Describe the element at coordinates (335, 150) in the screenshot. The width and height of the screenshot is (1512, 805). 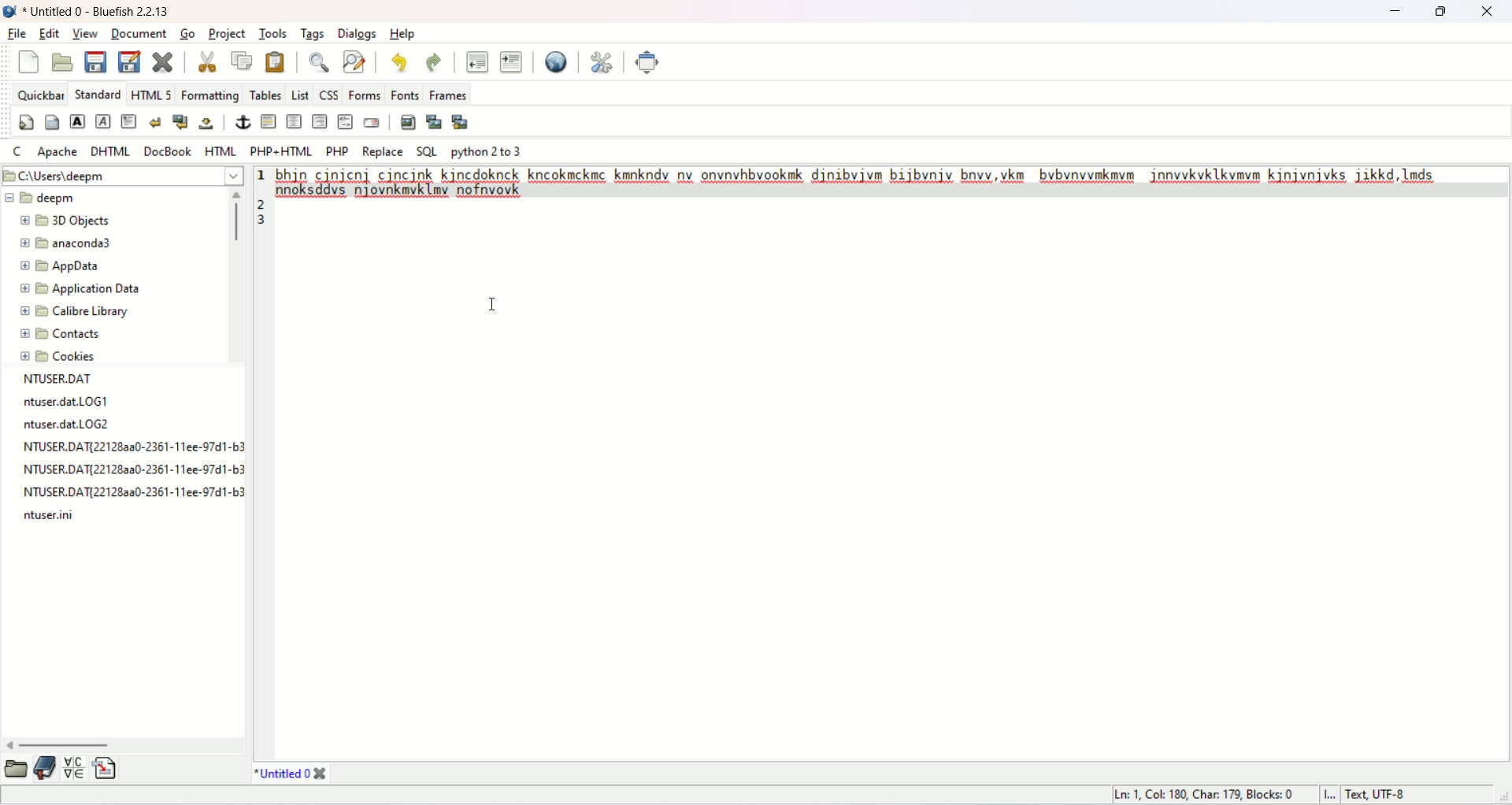
I see `PHP` at that location.